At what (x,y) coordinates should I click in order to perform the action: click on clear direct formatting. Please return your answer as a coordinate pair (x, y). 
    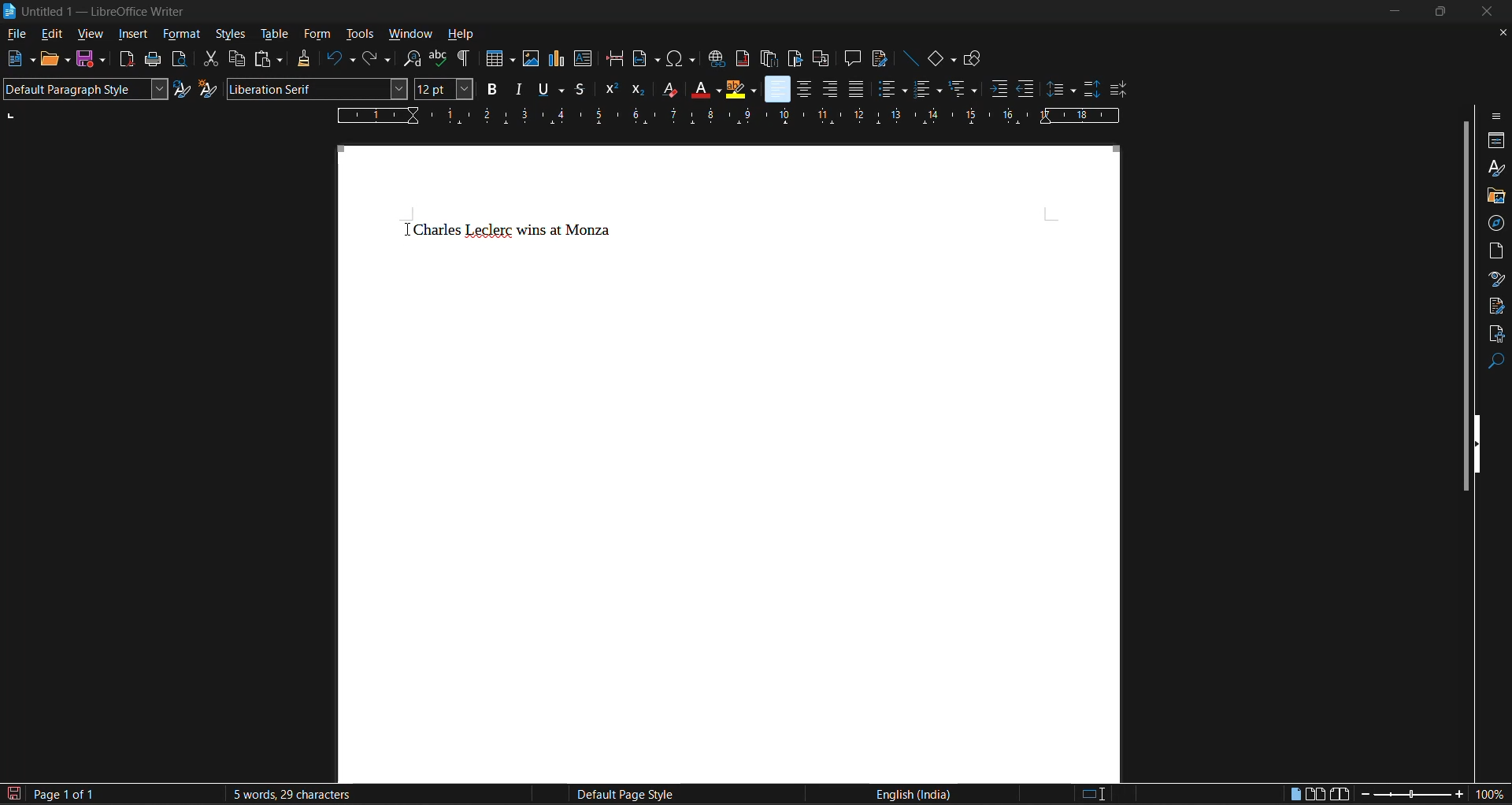
    Looking at the image, I should click on (666, 88).